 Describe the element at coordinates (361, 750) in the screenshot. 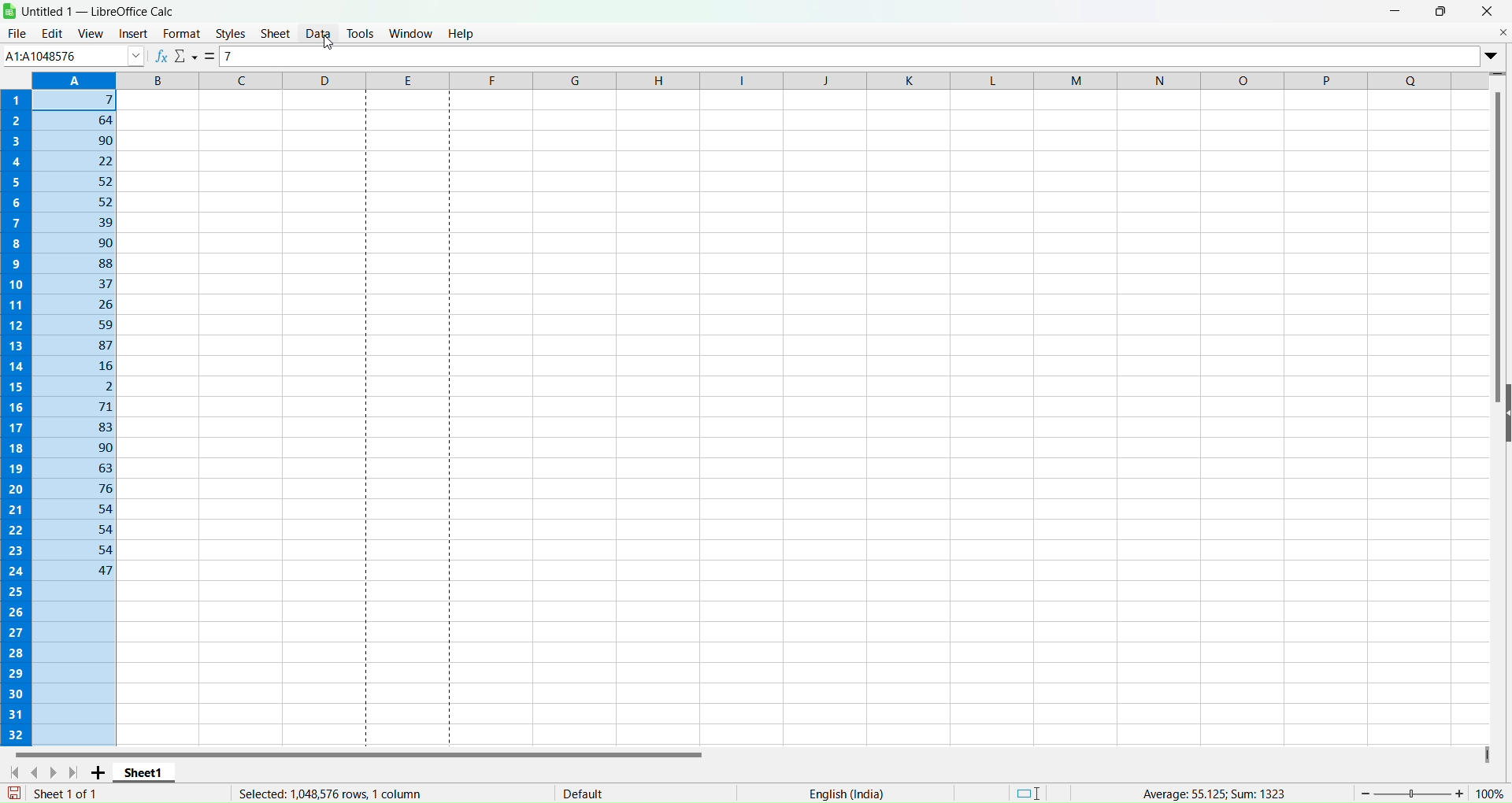

I see `Horizontal Scroll Bar` at that location.